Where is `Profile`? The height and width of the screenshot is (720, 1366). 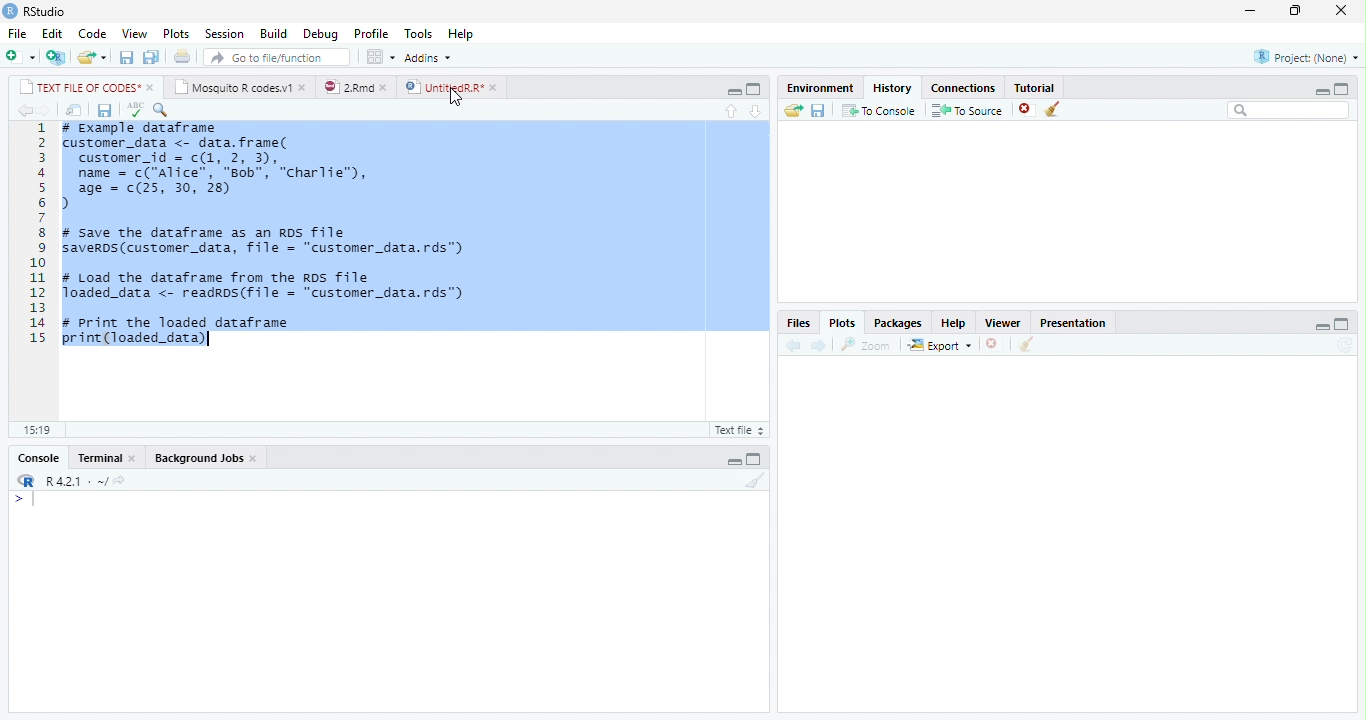
Profile is located at coordinates (371, 33).